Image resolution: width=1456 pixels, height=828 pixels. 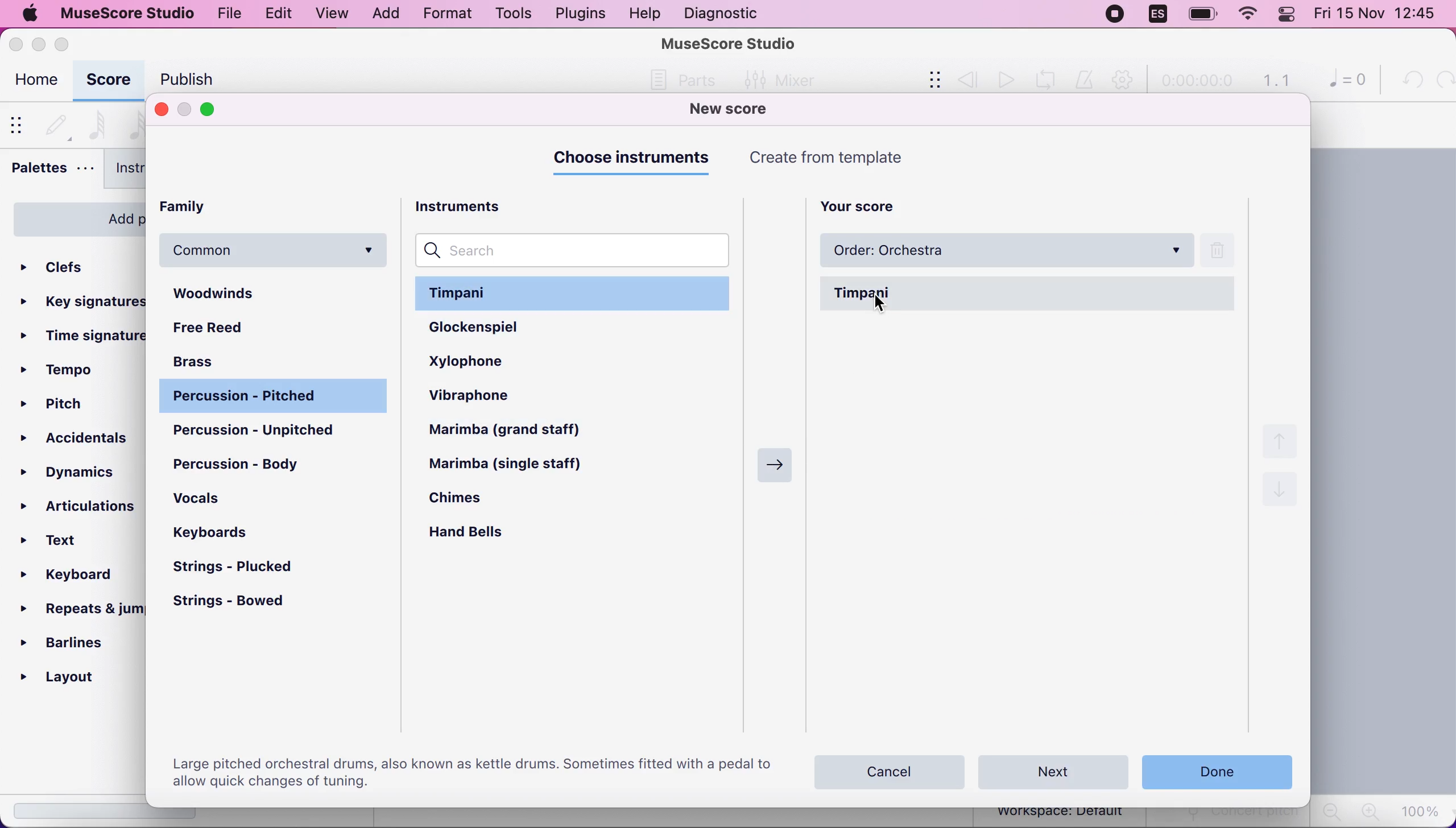 What do you see at coordinates (20, 124) in the screenshot?
I see `show/hide` at bounding box center [20, 124].